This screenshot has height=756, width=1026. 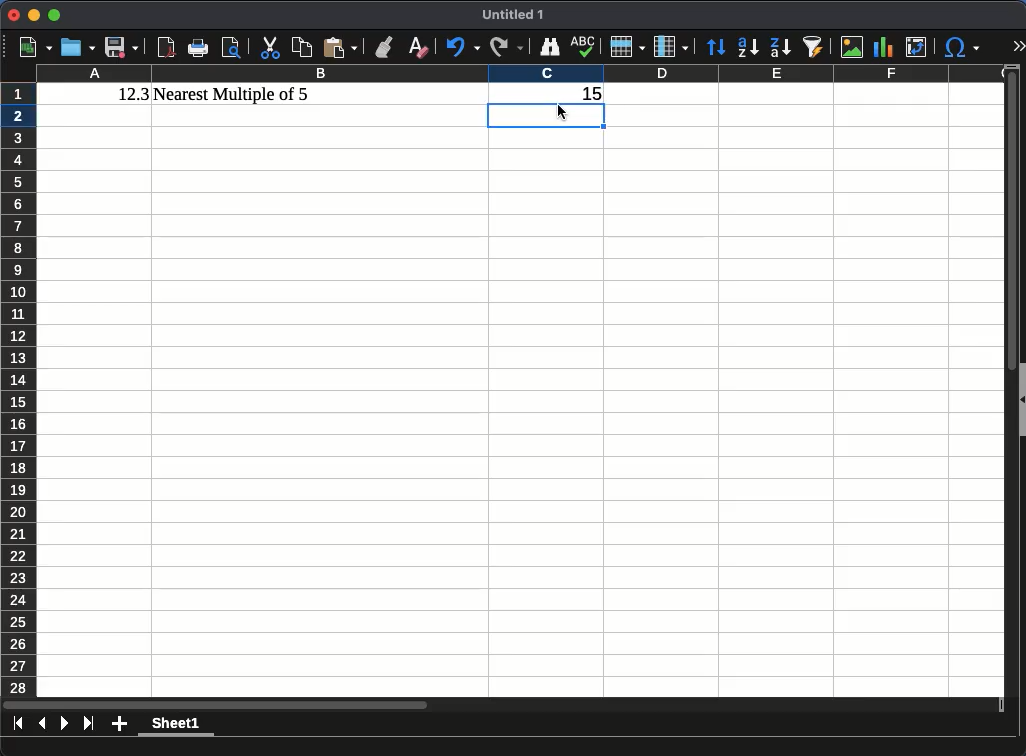 I want to click on paste, so click(x=340, y=47).